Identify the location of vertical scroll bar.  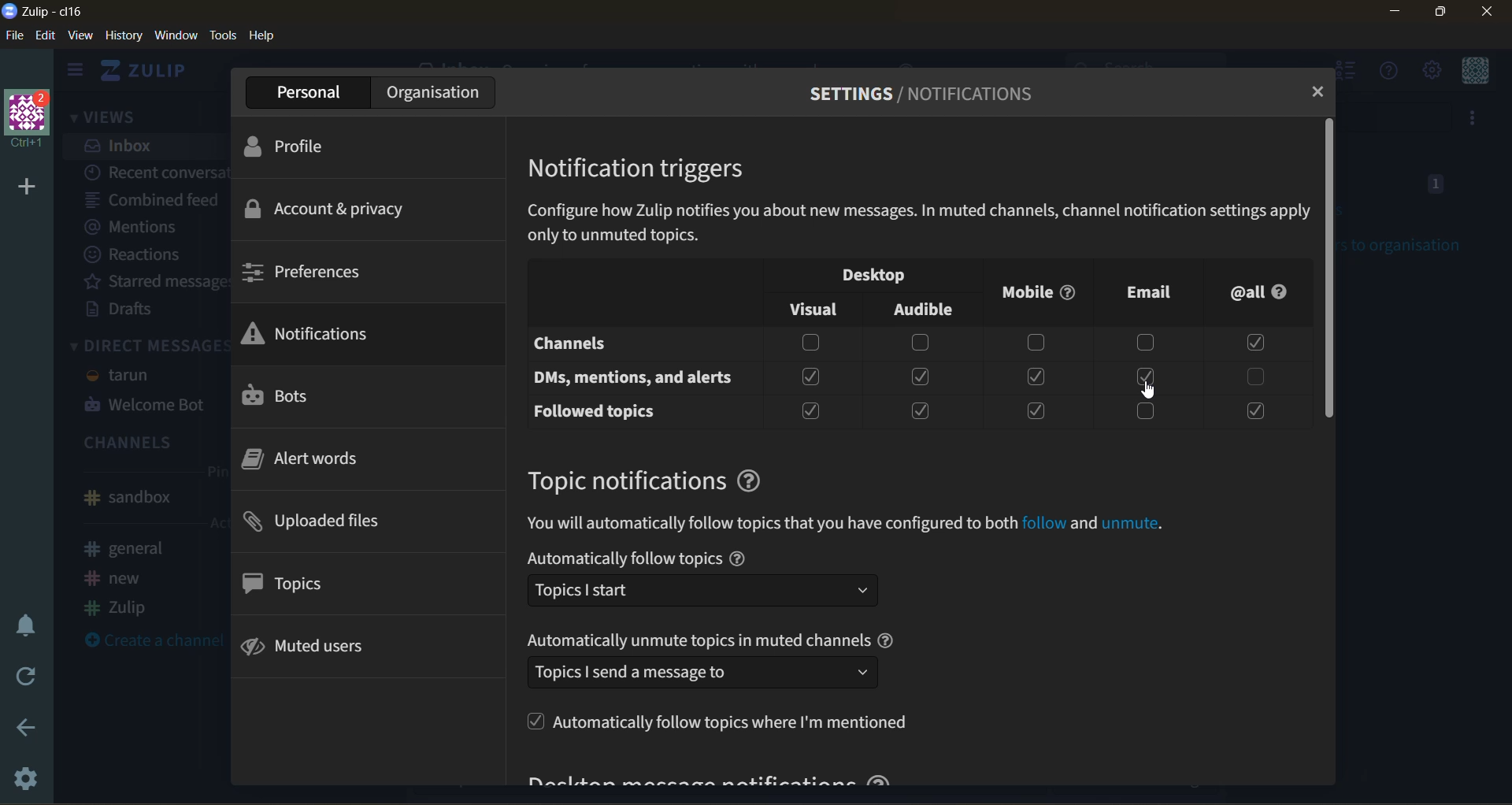
(1331, 268).